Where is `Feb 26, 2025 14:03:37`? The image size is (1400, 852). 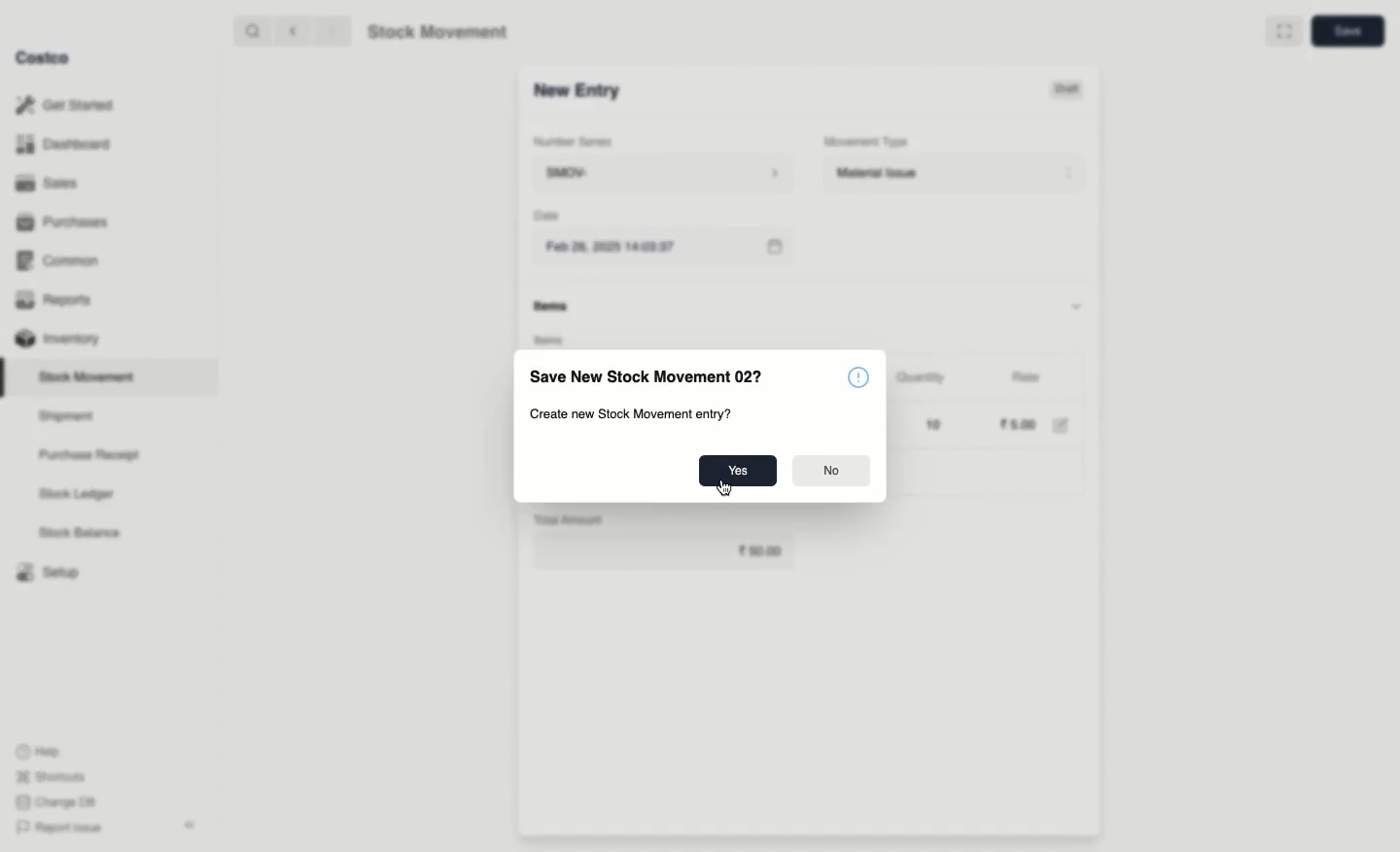 Feb 26, 2025 14:03:37 is located at coordinates (662, 248).